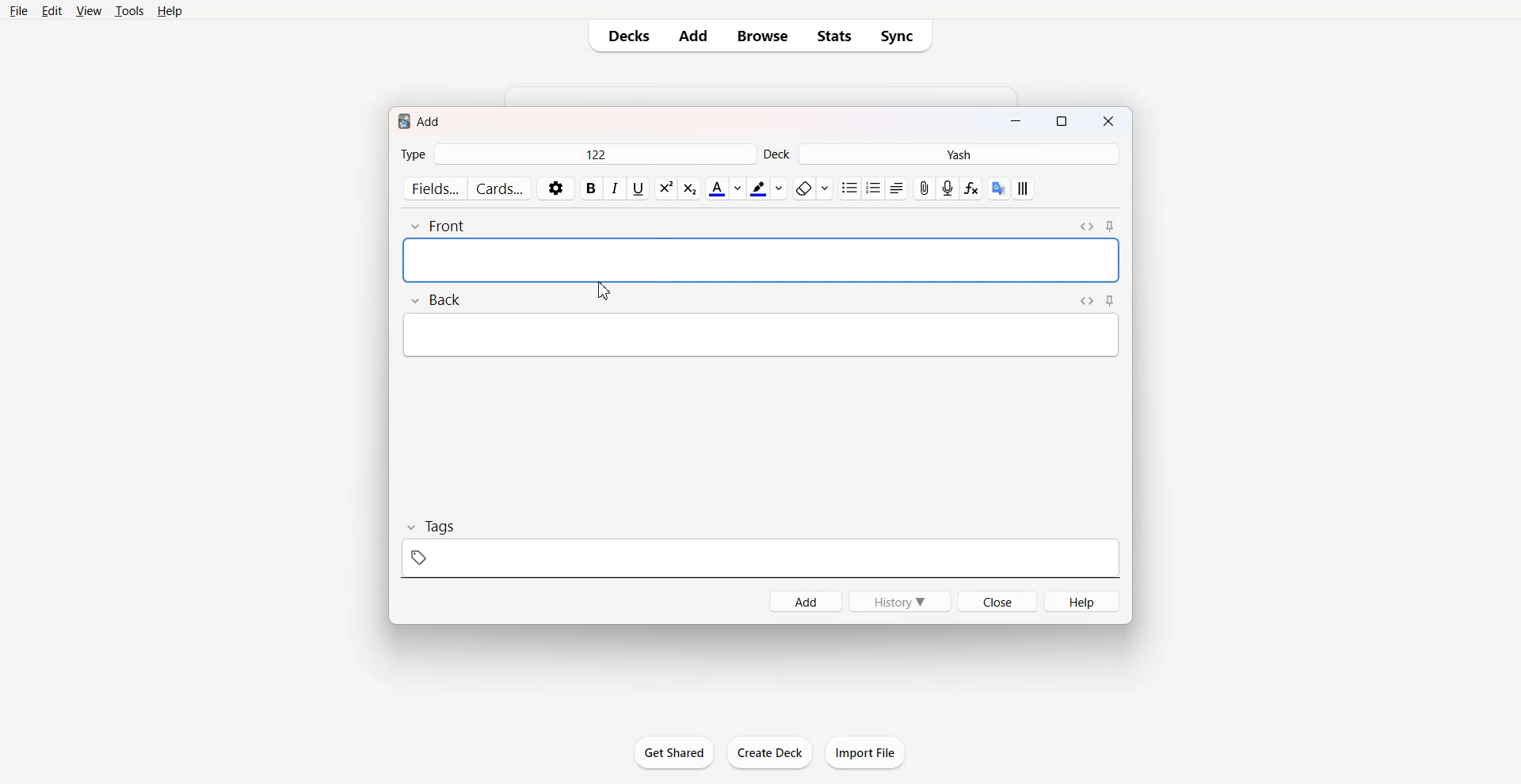 Image resolution: width=1521 pixels, height=784 pixels. What do you see at coordinates (604, 291) in the screenshot?
I see `cursor` at bounding box center [604, 291].